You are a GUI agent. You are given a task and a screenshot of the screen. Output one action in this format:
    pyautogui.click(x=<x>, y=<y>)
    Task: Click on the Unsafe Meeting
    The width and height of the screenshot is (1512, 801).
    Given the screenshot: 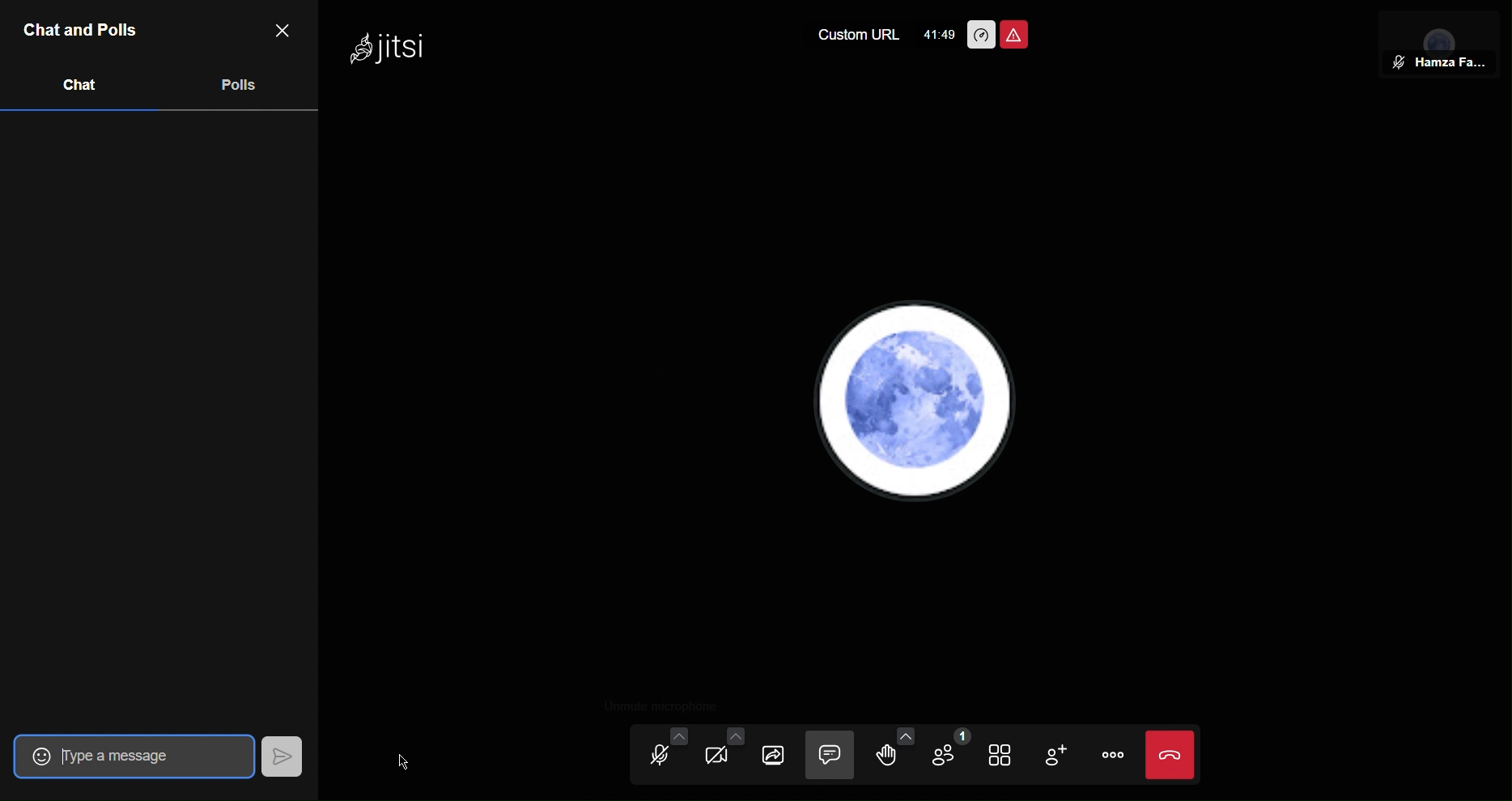 What is the action you would take?
    pyautogui.click(x=1017, y=36)
    